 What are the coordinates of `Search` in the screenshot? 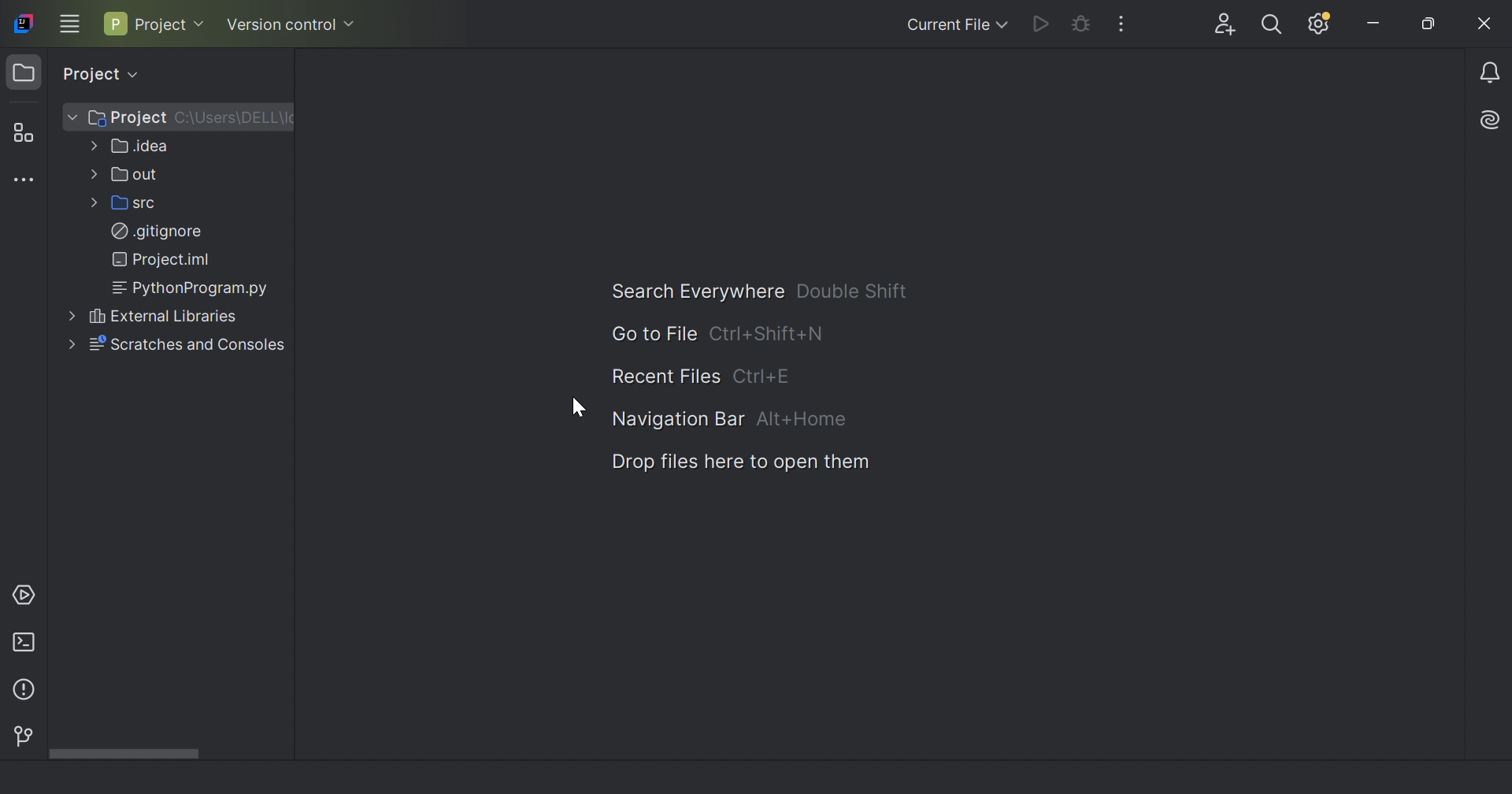 It's located at (1273, 25).